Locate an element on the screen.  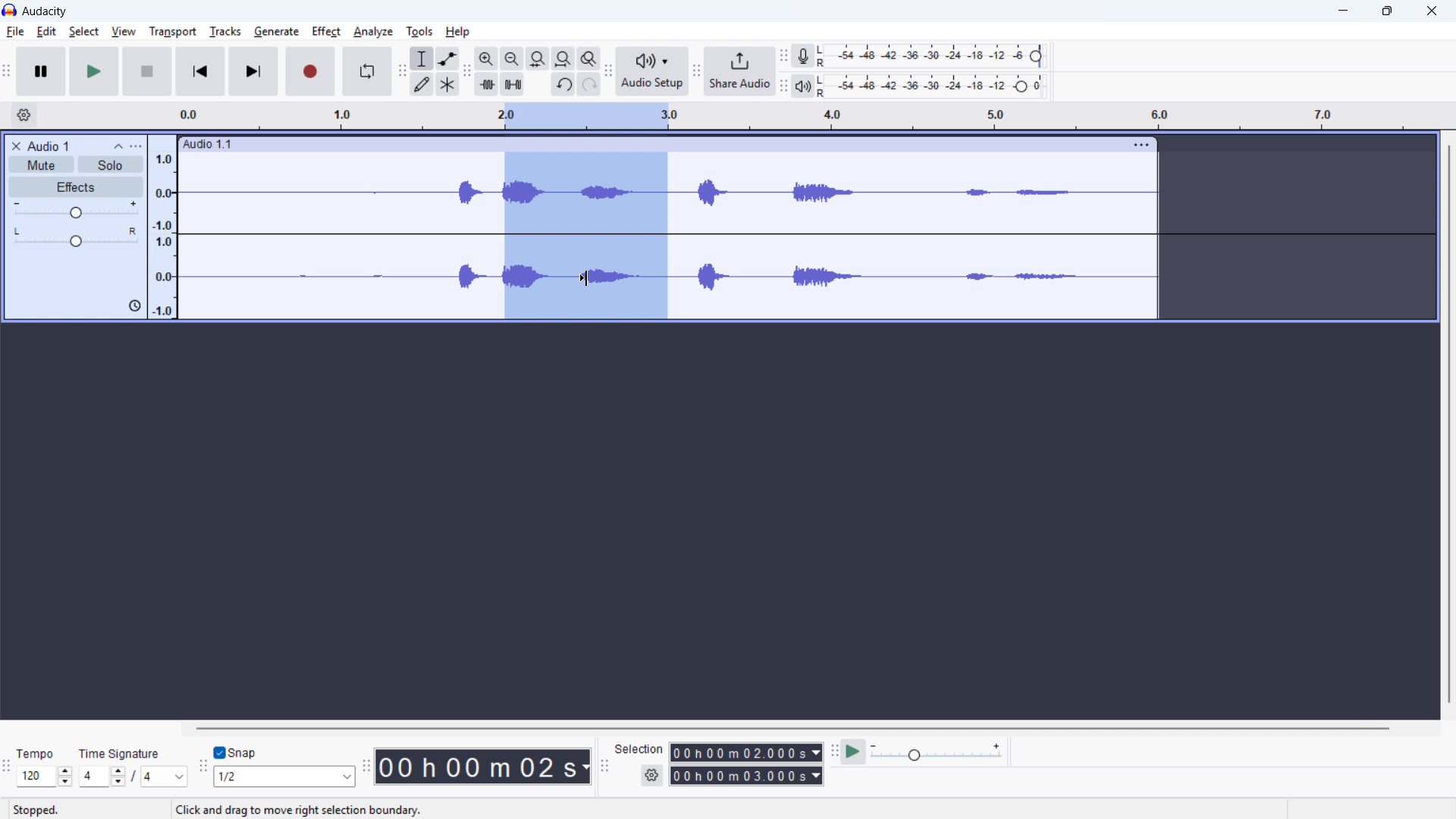
Enable looping is located at coordinates (368, 71).